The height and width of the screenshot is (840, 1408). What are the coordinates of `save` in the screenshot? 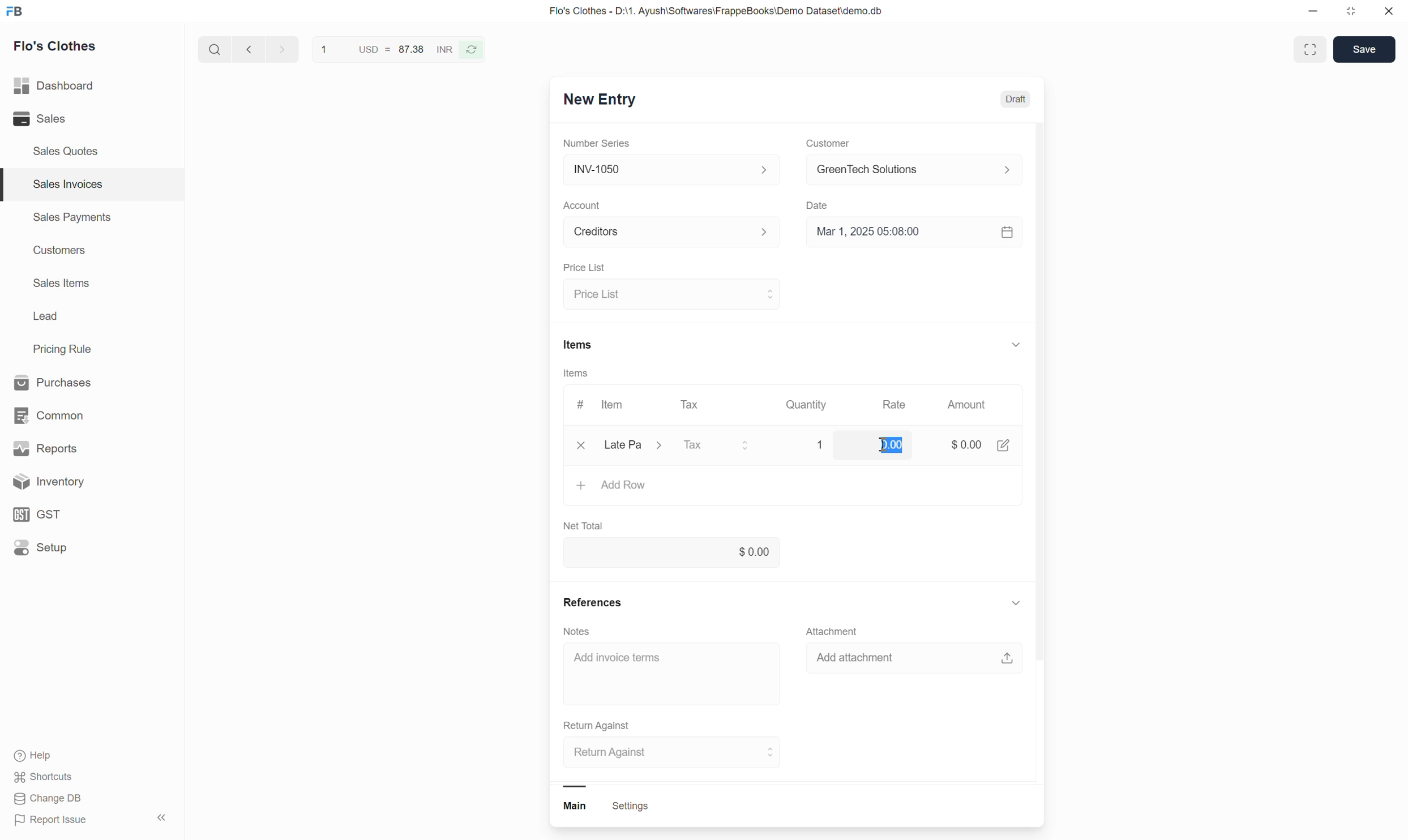 It's located at (1363, 50).